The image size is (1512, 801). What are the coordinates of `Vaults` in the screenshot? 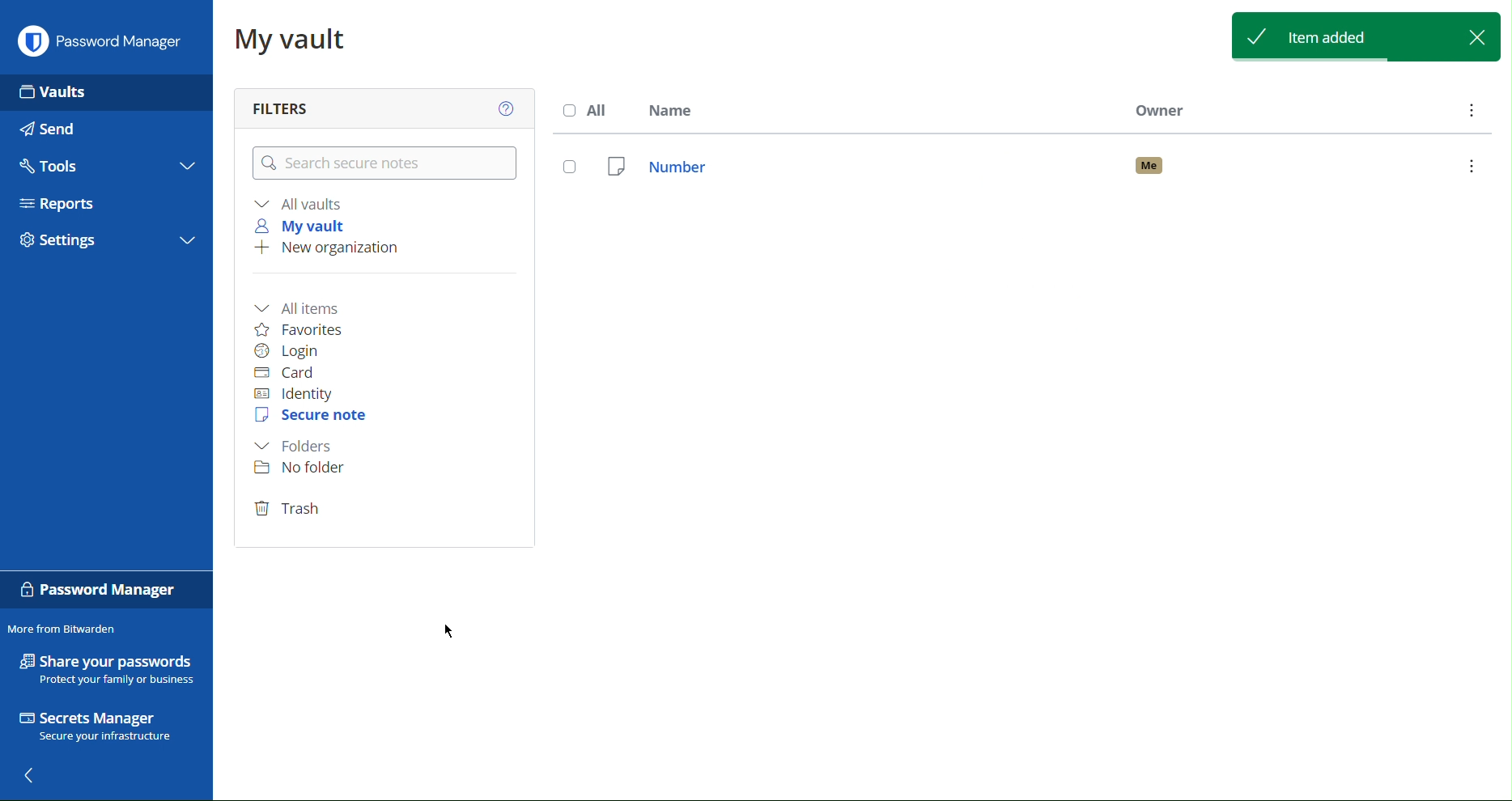 It's located at (55, 91).